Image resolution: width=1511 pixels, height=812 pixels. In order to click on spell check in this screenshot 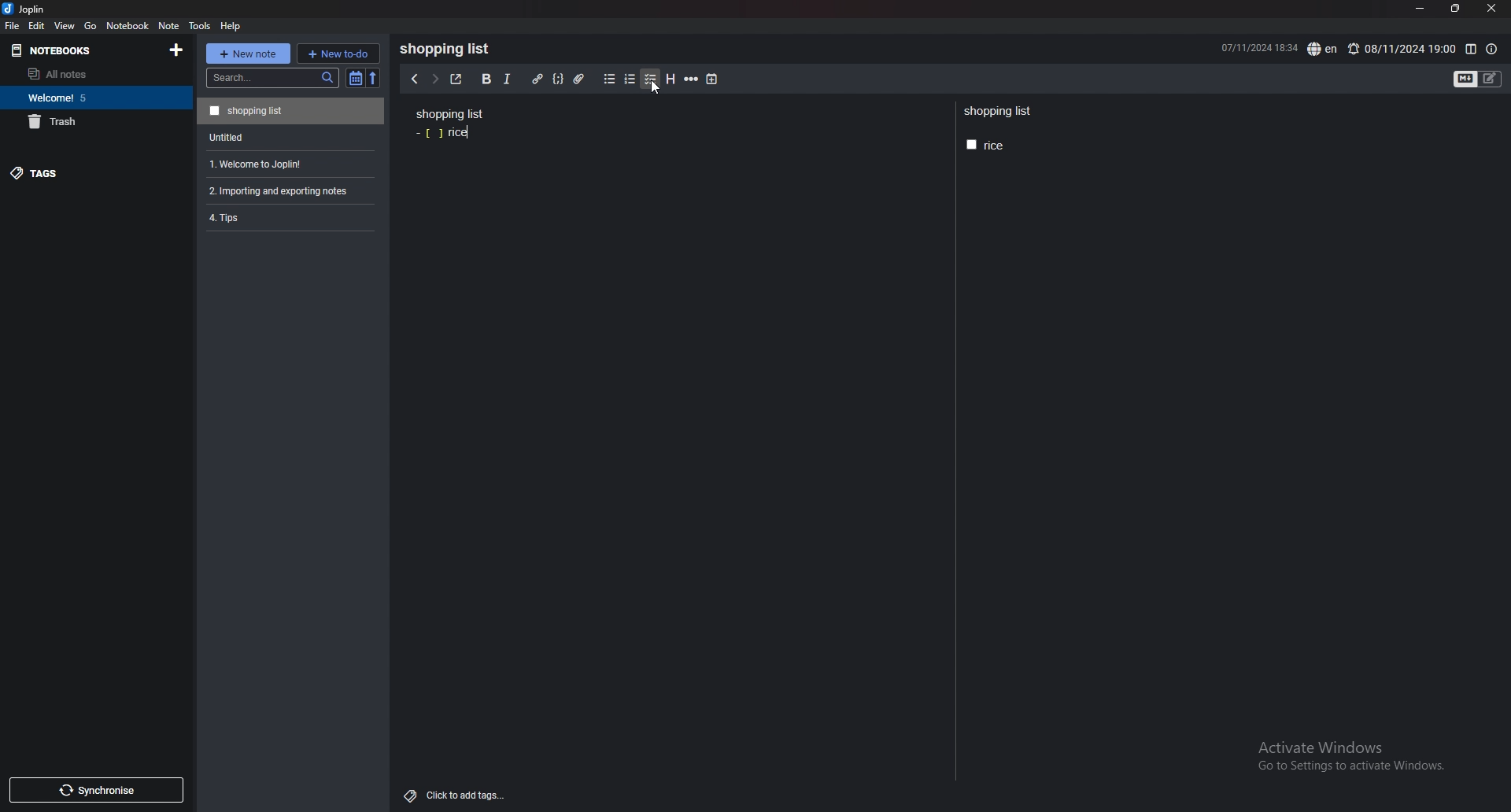, I will do `click(1324, 49)`.